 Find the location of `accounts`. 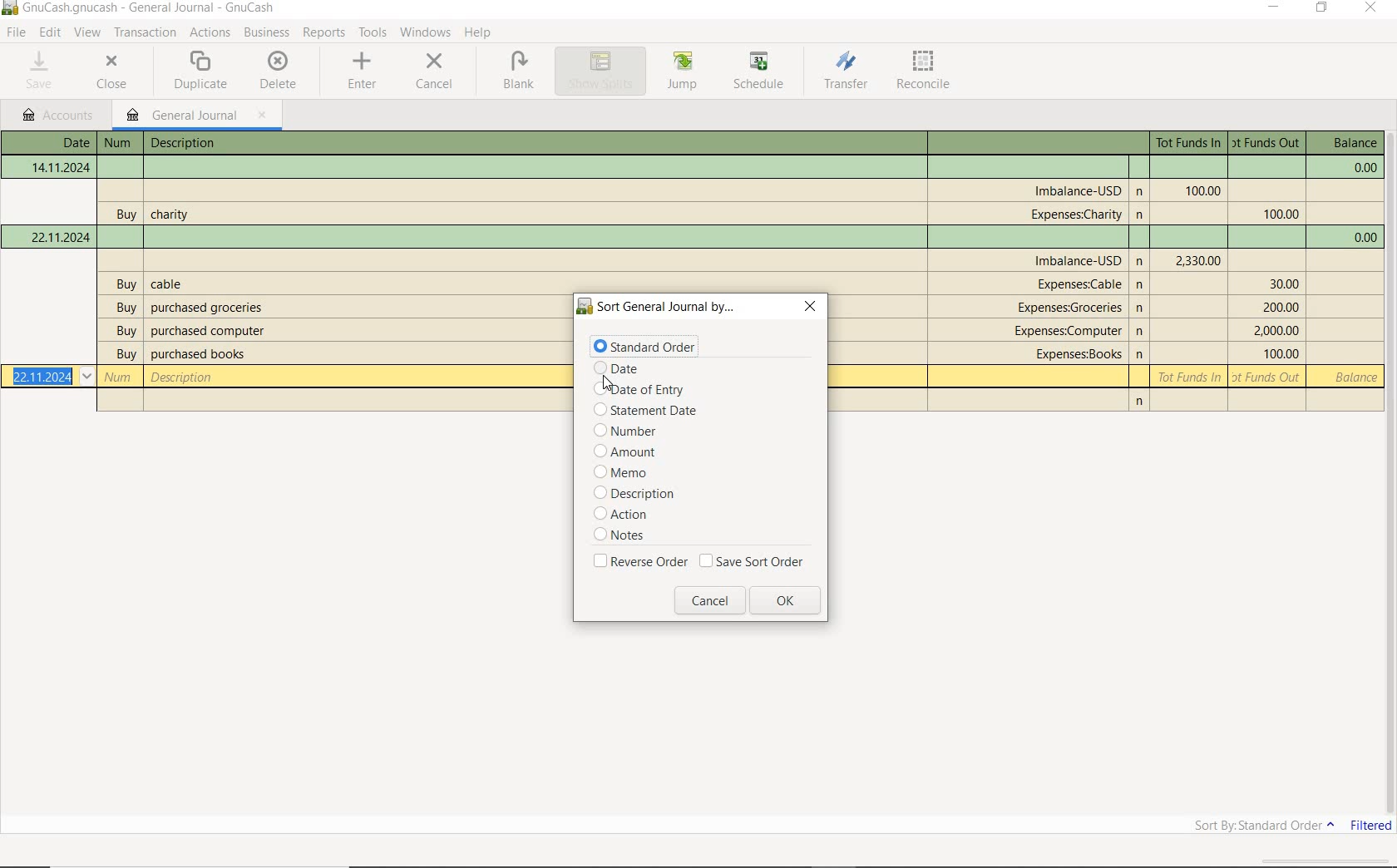

accounts is located at coordinates (60, 116).